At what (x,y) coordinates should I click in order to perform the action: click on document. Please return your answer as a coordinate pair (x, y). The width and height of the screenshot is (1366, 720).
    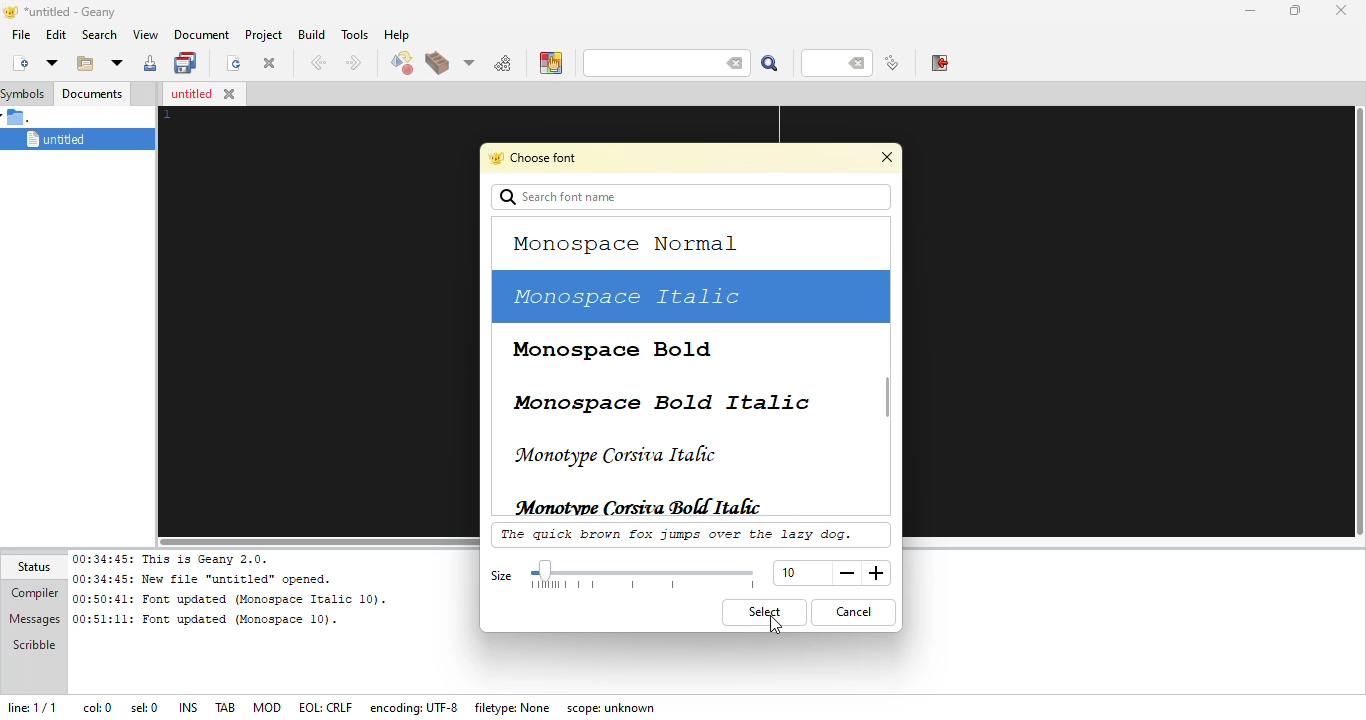
    Looking at the image, I should click on (199, 35).